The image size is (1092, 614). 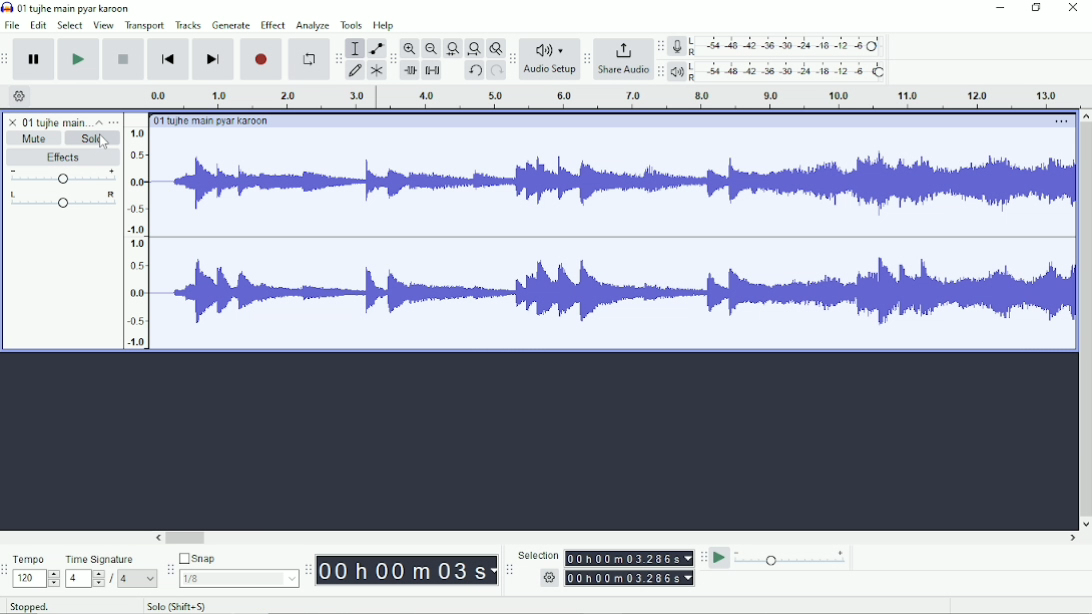 I want to click on Fit selection to width, so click(x=451, y=48).